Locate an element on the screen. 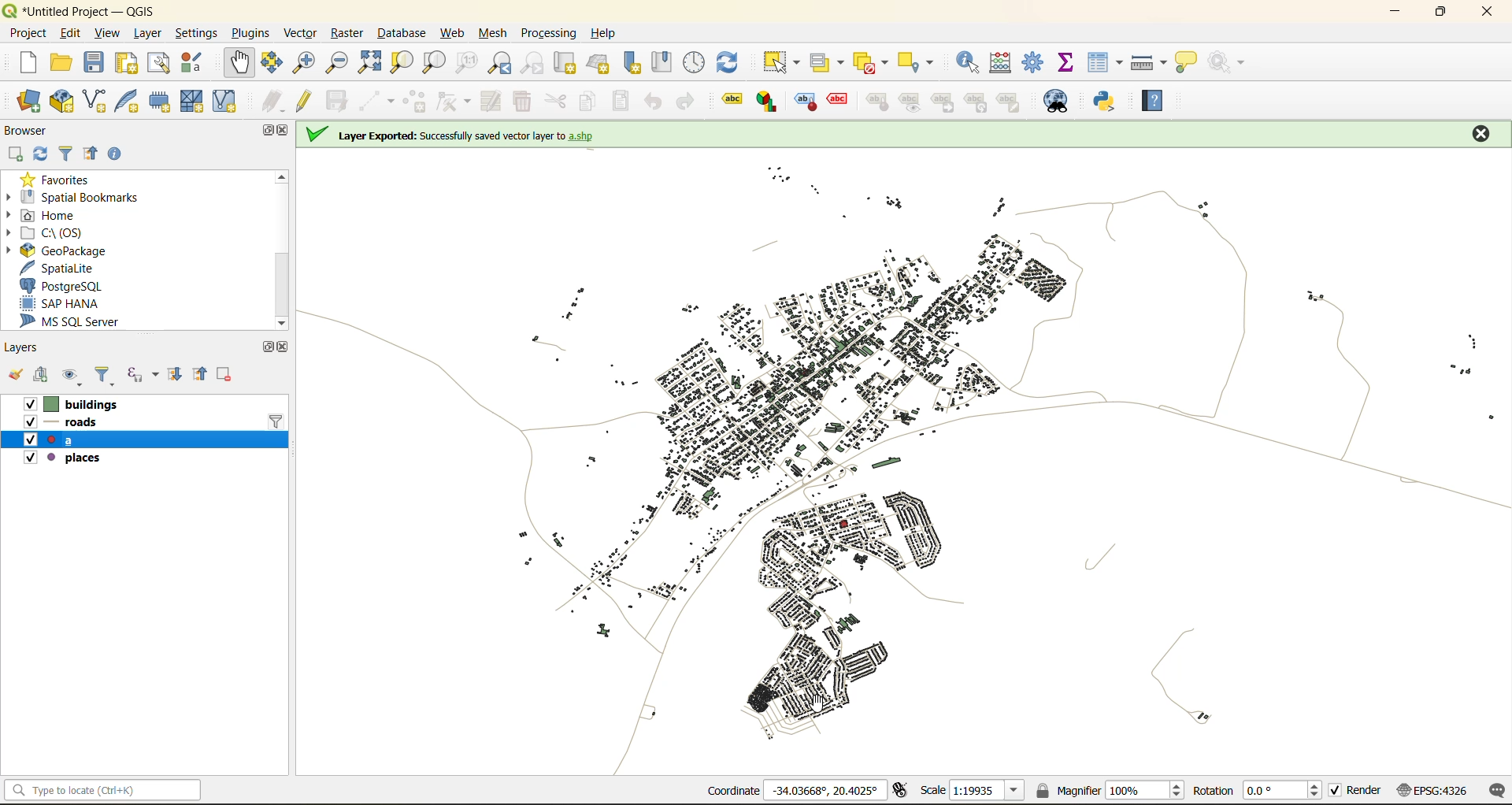  favorites is located at coordinates (61, 180).